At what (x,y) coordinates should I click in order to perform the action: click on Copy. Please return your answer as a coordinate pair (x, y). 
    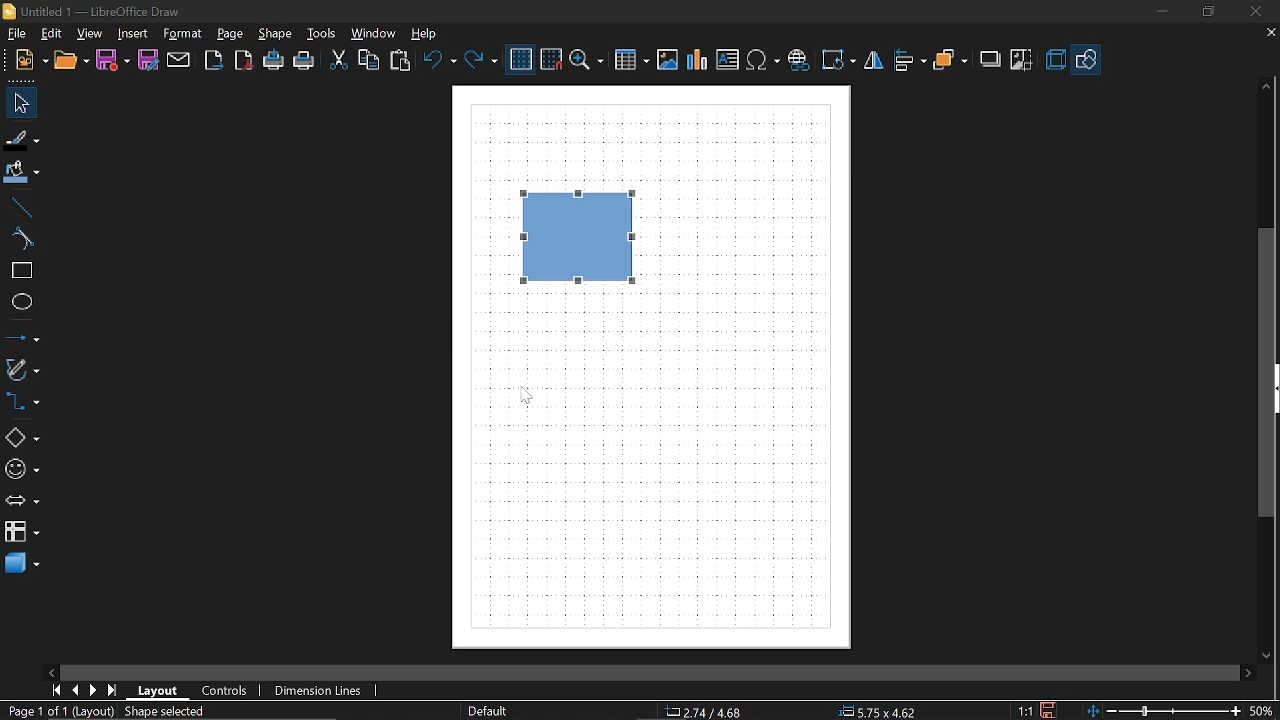
    Looking at the image, I should click on (370, 60).